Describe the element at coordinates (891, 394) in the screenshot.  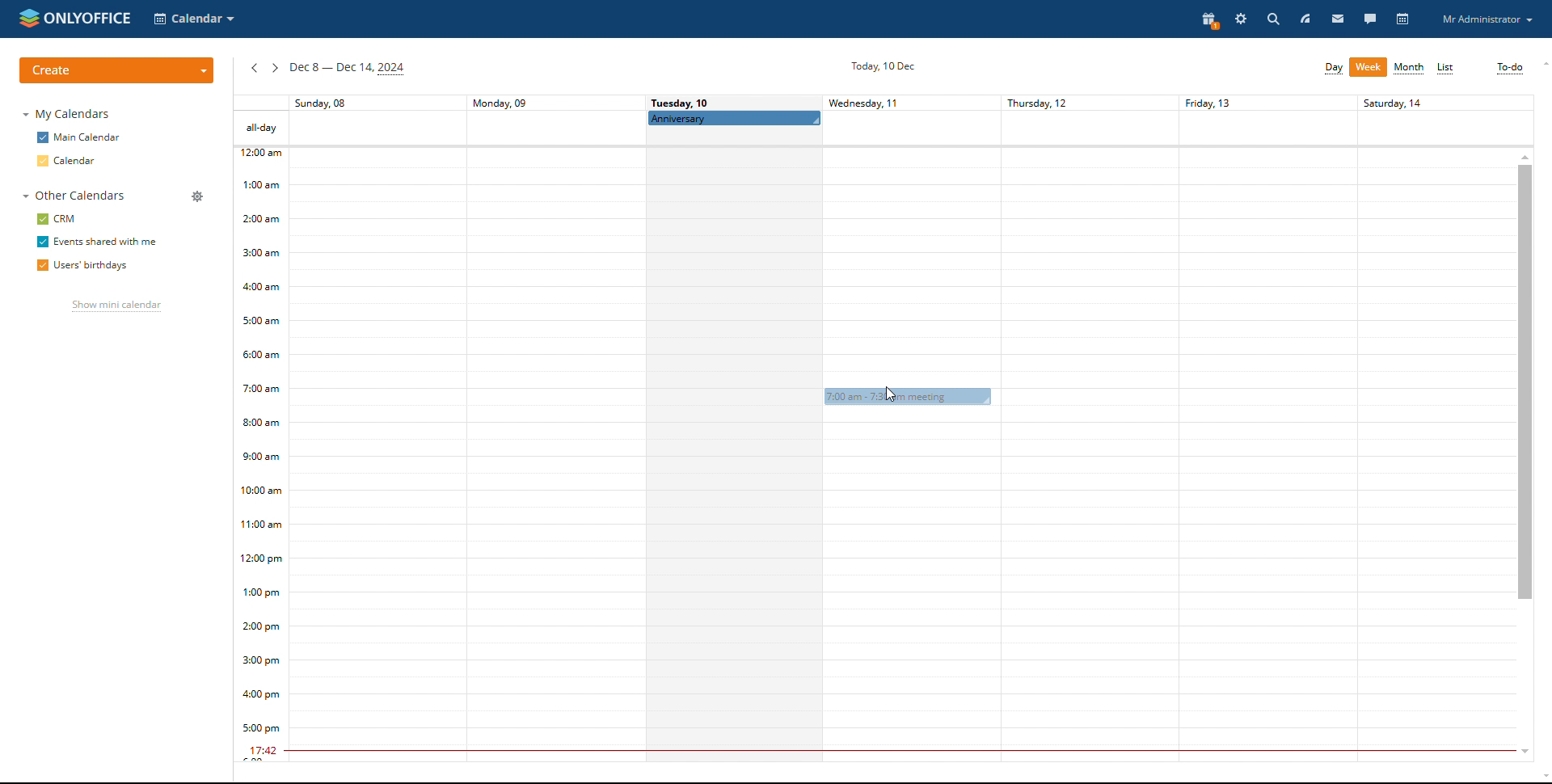
I see `cursor` at that location.